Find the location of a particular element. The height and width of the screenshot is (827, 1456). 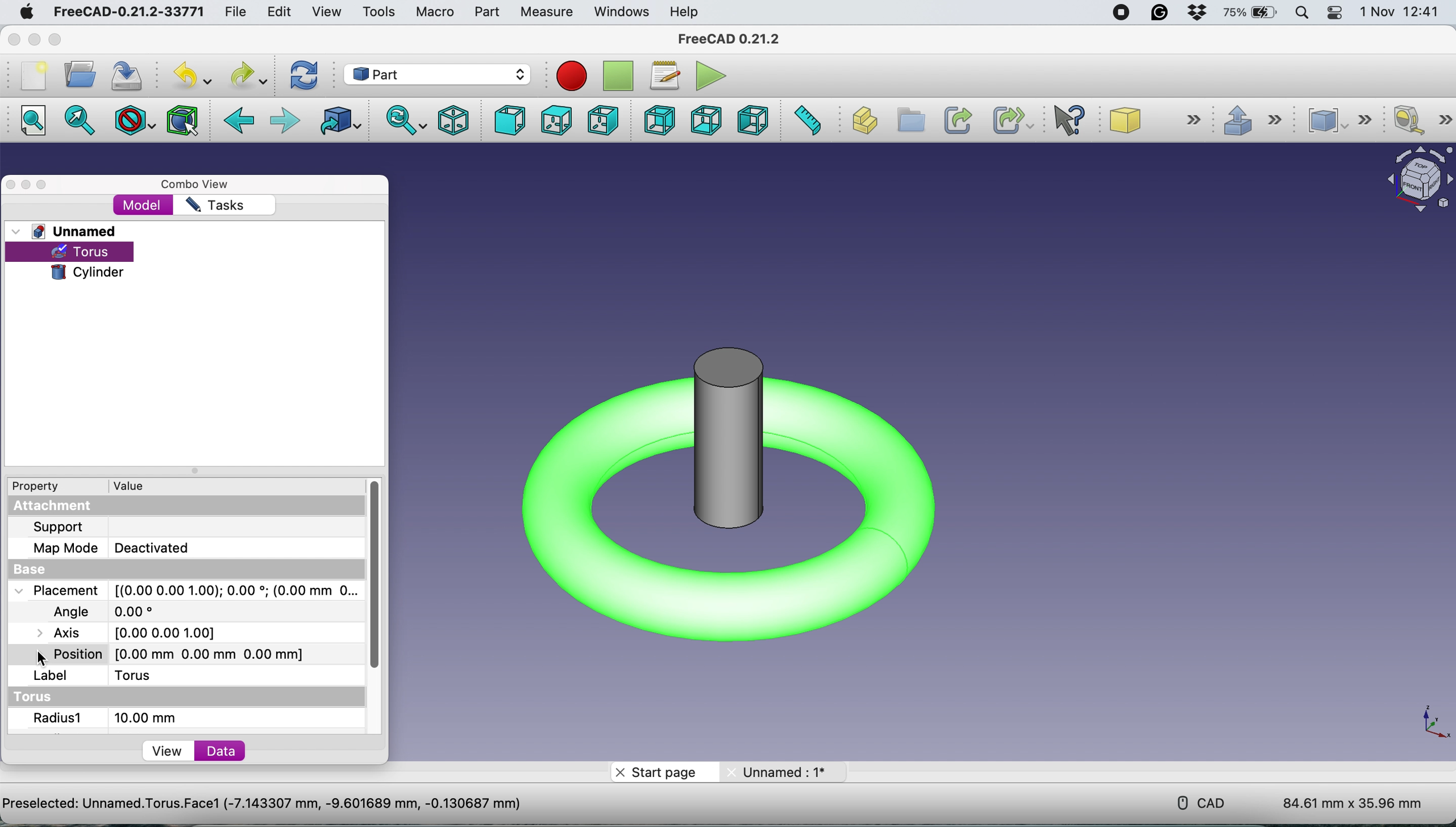

axis is located at coordinates (128, 633).